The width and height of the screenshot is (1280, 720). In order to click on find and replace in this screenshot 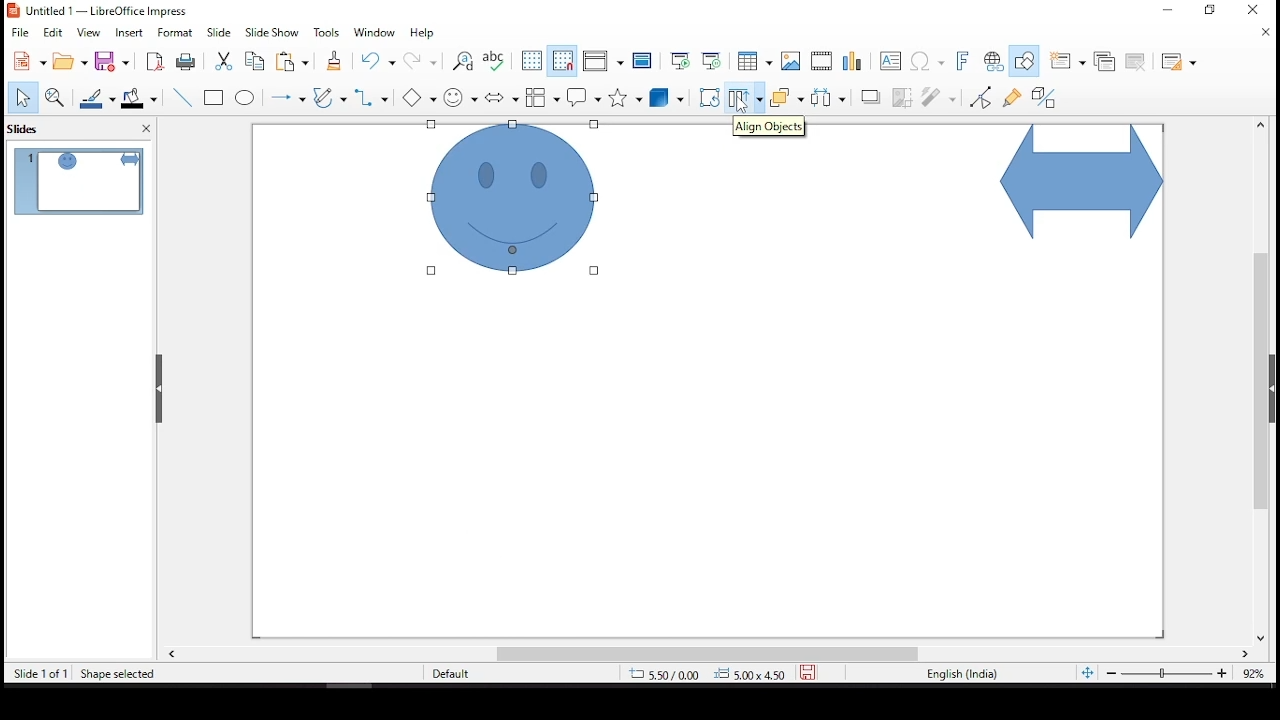, I will do `click(463, 62)`.